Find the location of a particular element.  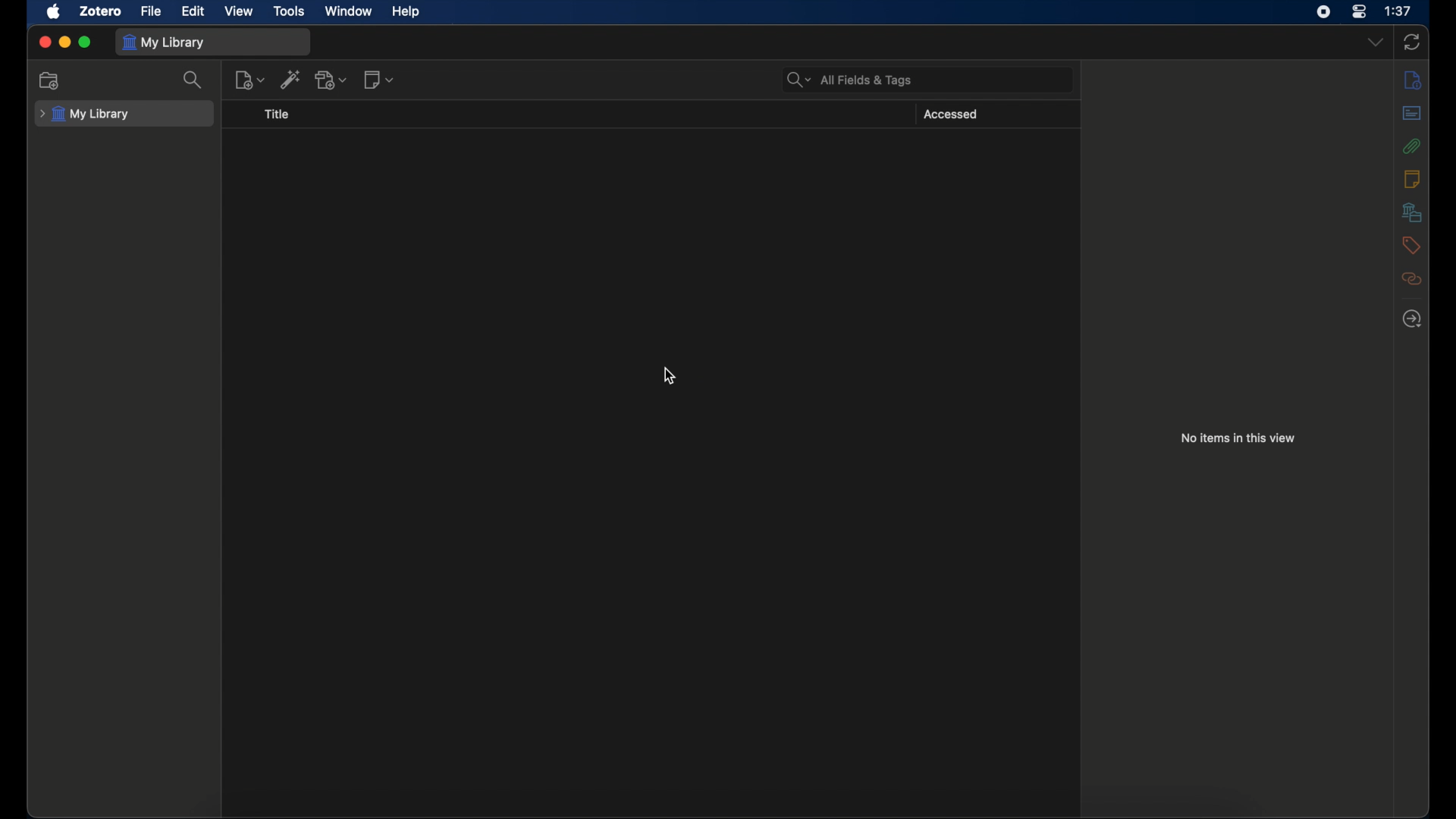

dropdown is located at coordinates (1374, 42).